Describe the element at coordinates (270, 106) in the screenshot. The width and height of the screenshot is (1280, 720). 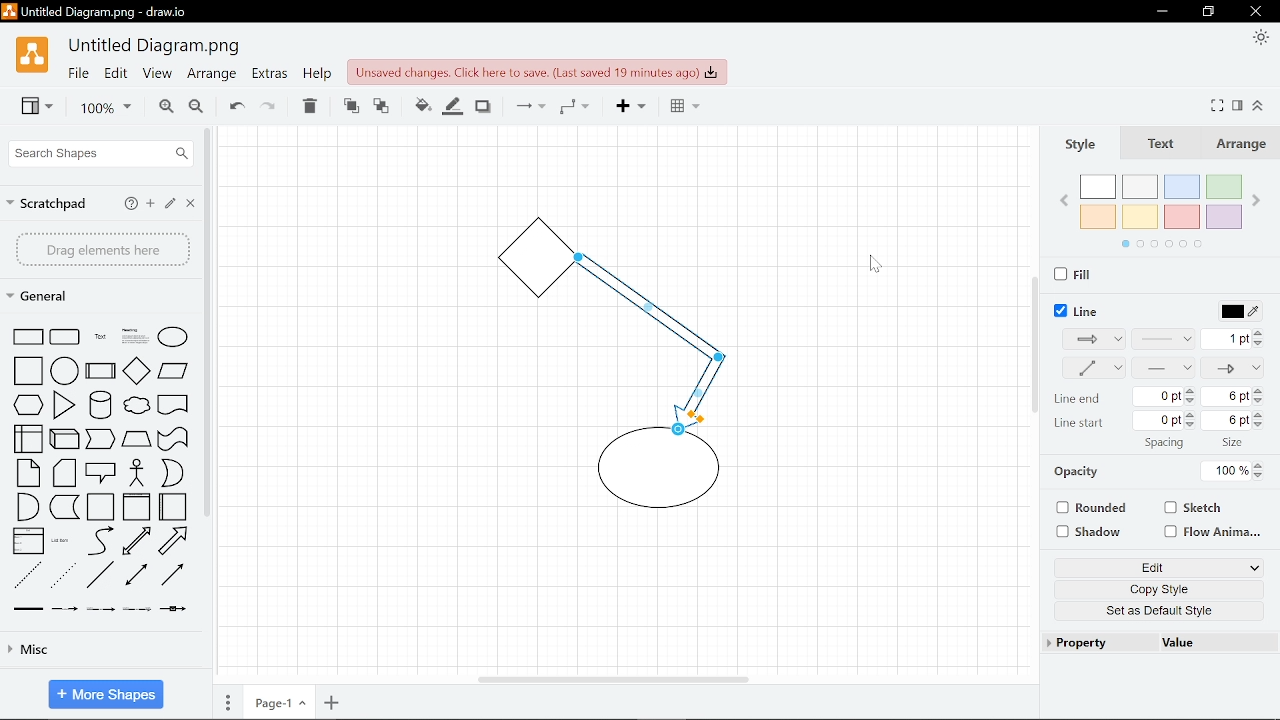
I see `Redo` at that location.